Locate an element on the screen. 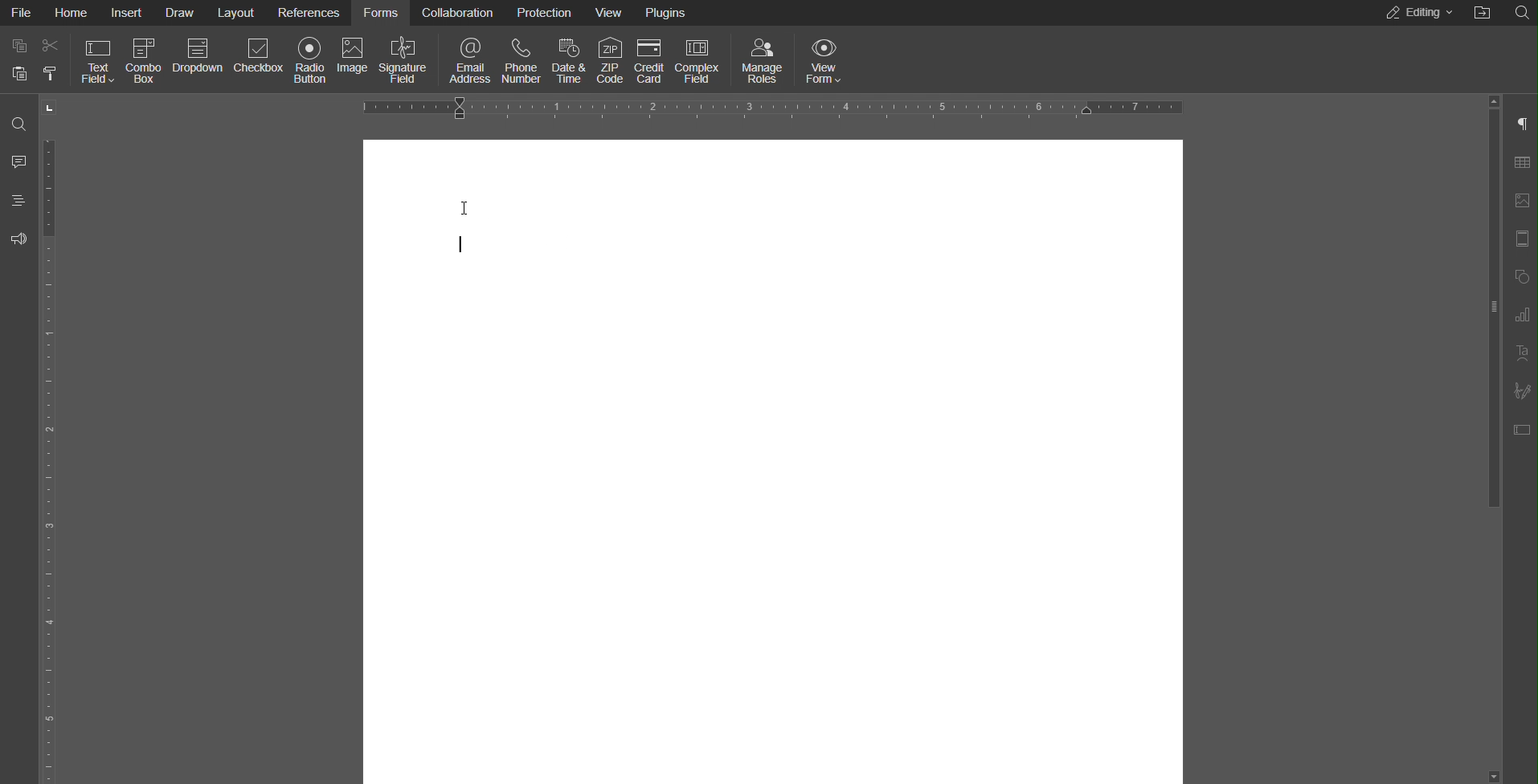 This screenshot has height=784, width=1538. Form Settings is located at coordinates (1520, 429).